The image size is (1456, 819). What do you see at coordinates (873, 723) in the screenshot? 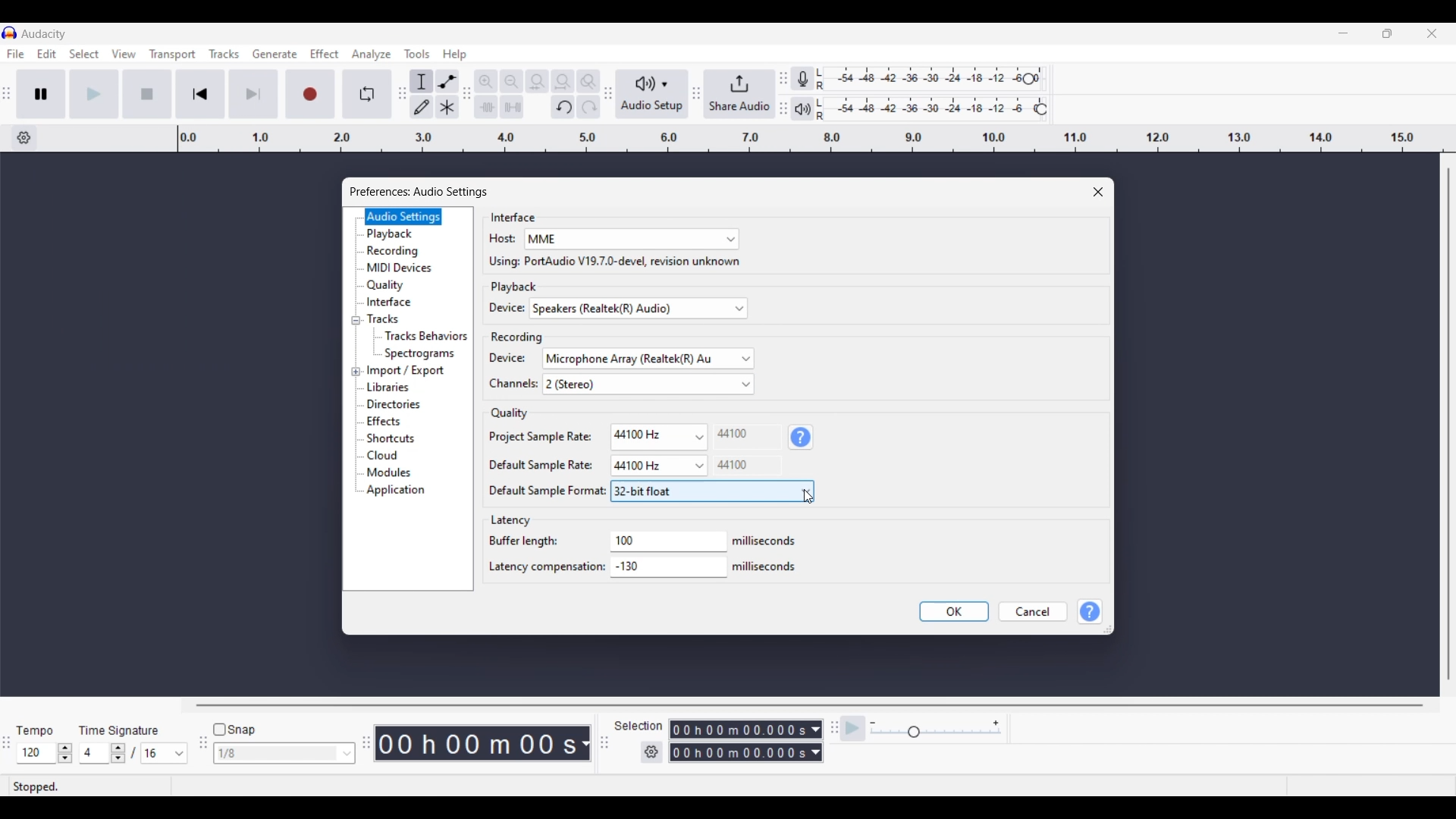
I see `Decrease playback speed to minimum` at bounding box center [873, 723].